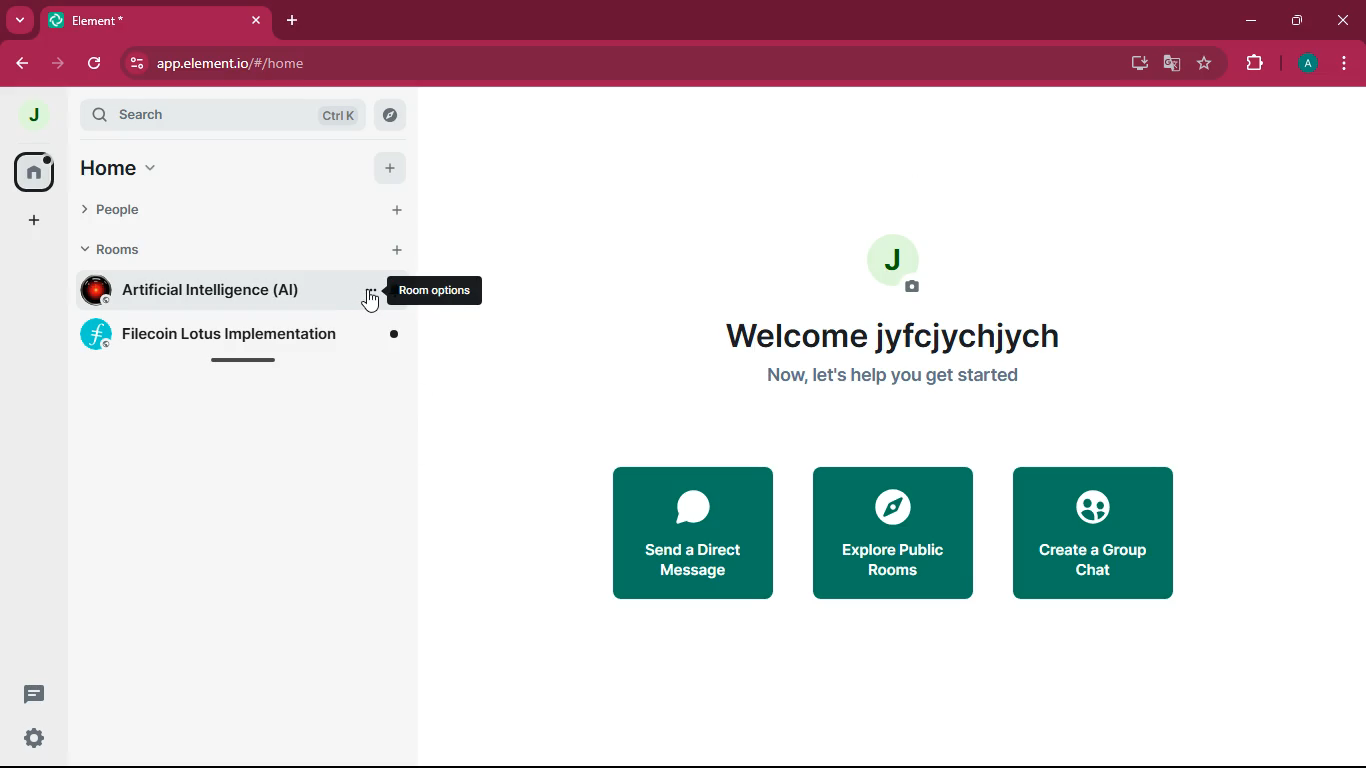 This screenshot has height=768, width=1366. I want to click on search, so click(390, 116).